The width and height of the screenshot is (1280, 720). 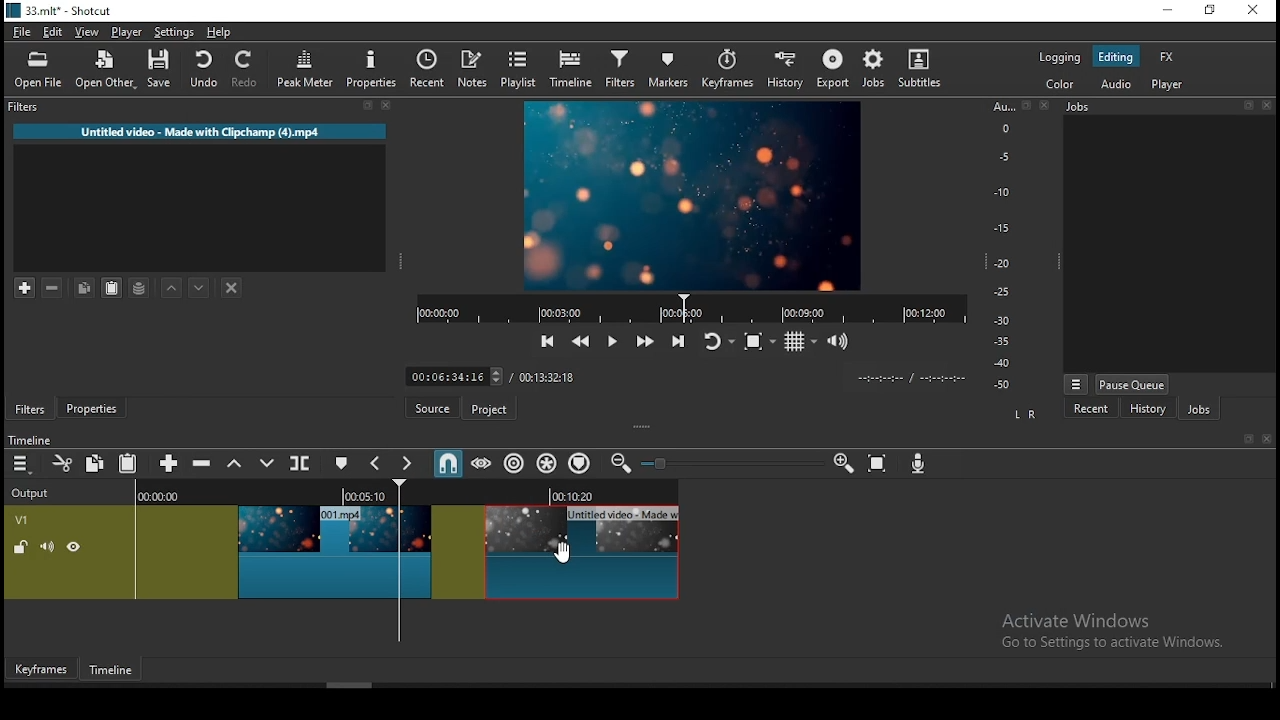 What do you see at coordinates (375, 69) in the screenshot?
I see `properties` at bounding box center [375, 69].